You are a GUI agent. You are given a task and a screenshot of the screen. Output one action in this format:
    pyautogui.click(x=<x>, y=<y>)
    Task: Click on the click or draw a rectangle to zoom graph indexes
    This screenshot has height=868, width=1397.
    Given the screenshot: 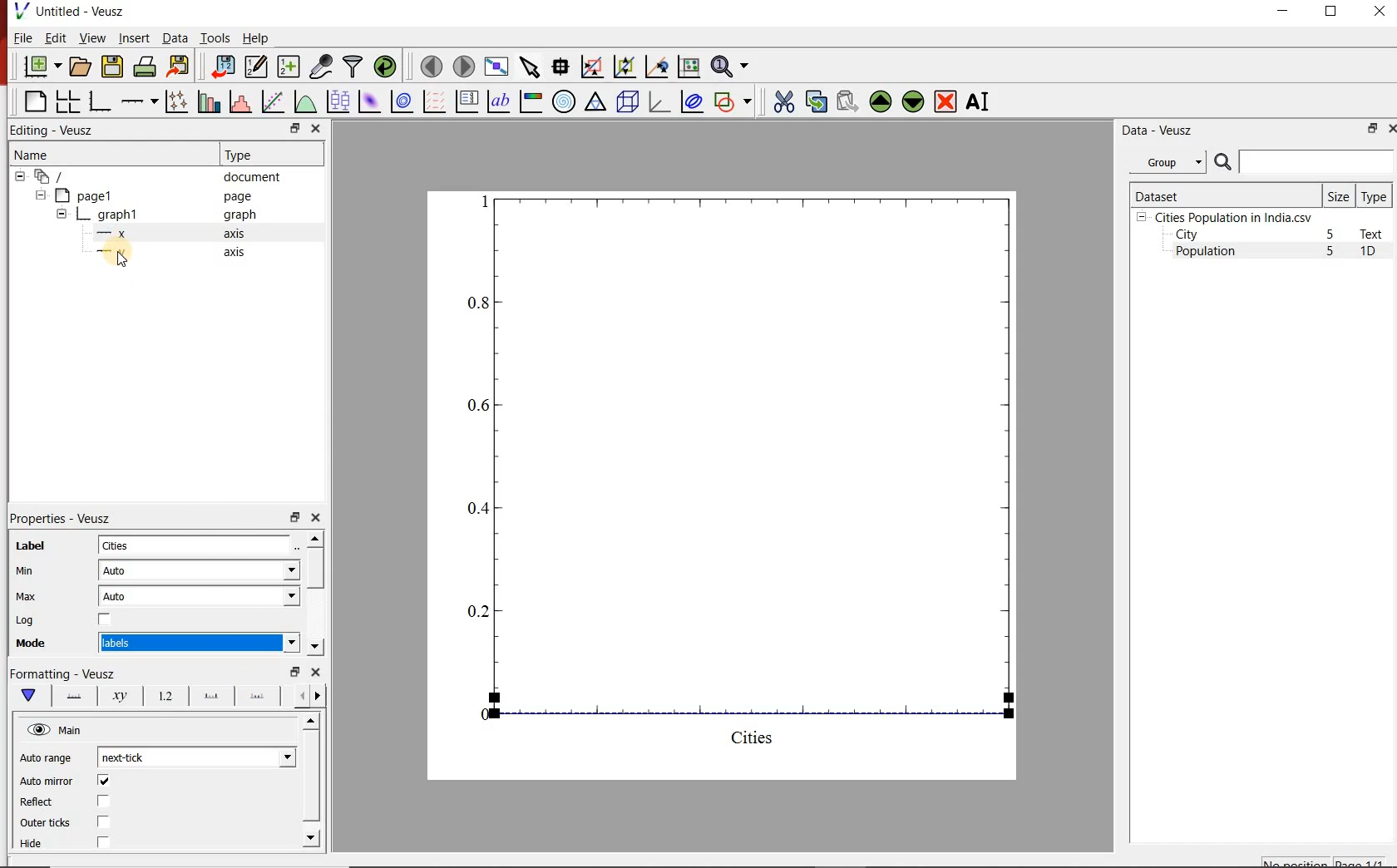 What is the action you would take?
    pyautogui.click(x=590, y=66)
    